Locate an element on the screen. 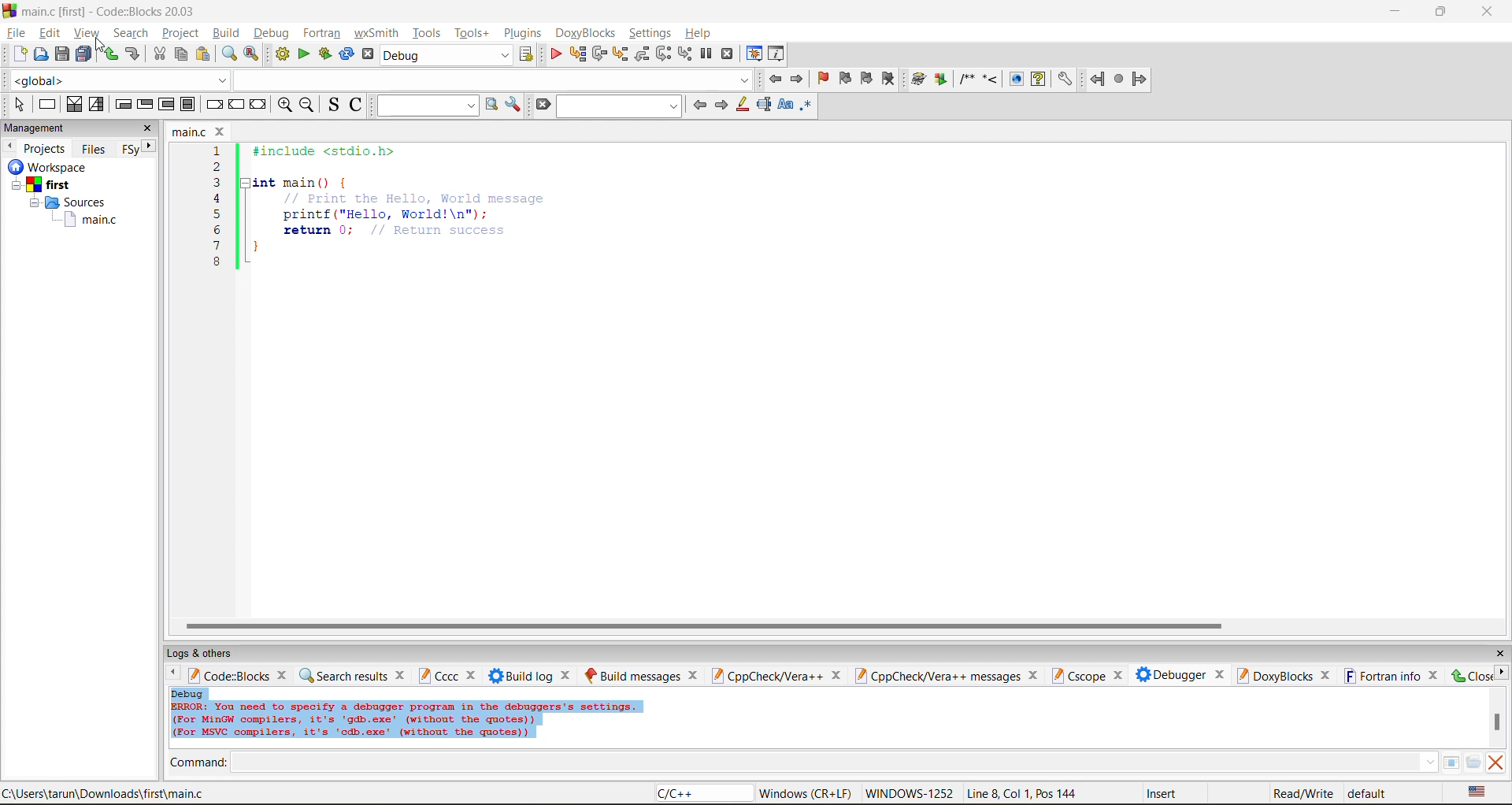 The image size is (1512, 805). run is located at coordinates (302, 54).